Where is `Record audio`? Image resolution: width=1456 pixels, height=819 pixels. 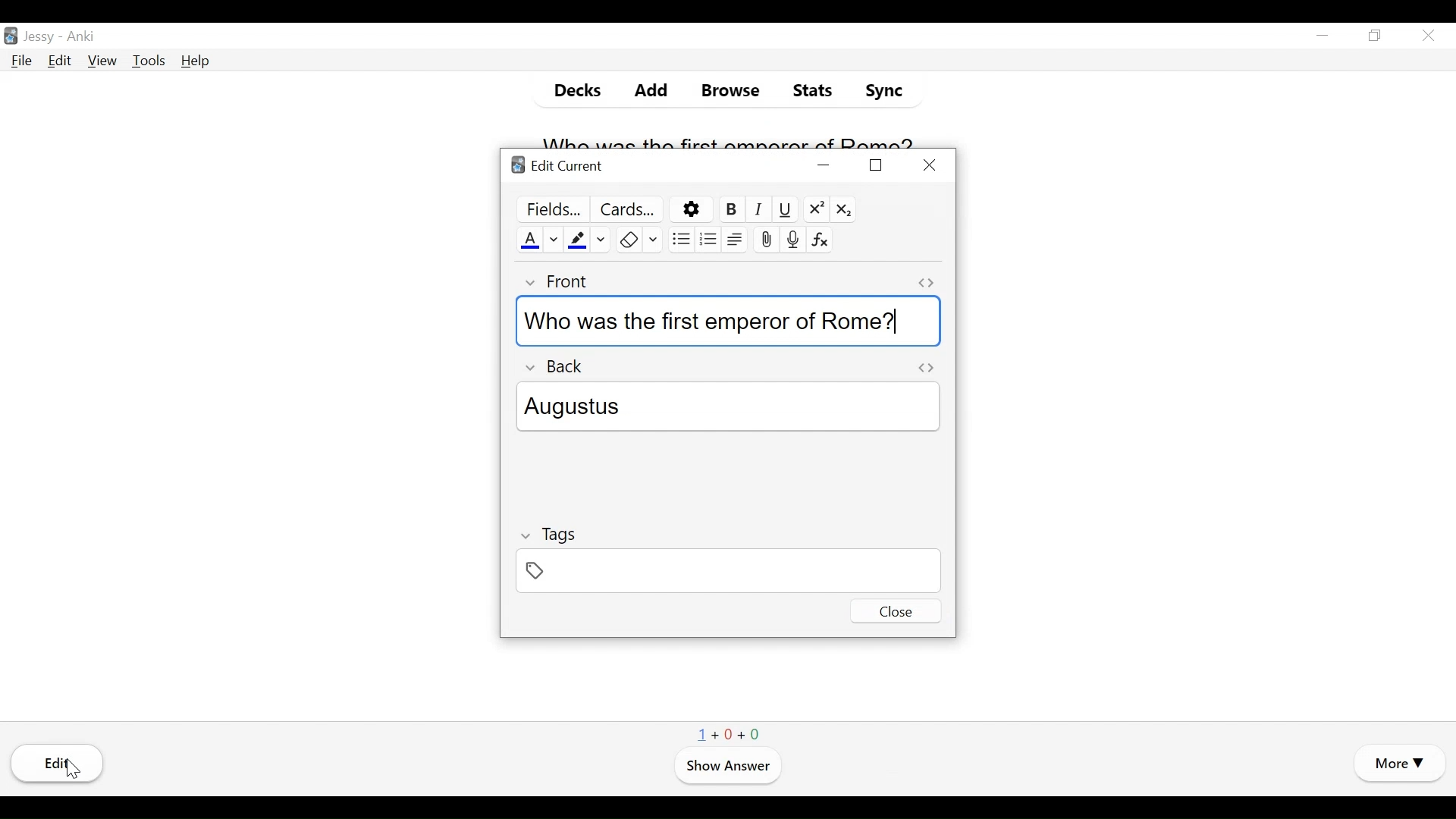
Record audio is located at coordinates (791, 240).